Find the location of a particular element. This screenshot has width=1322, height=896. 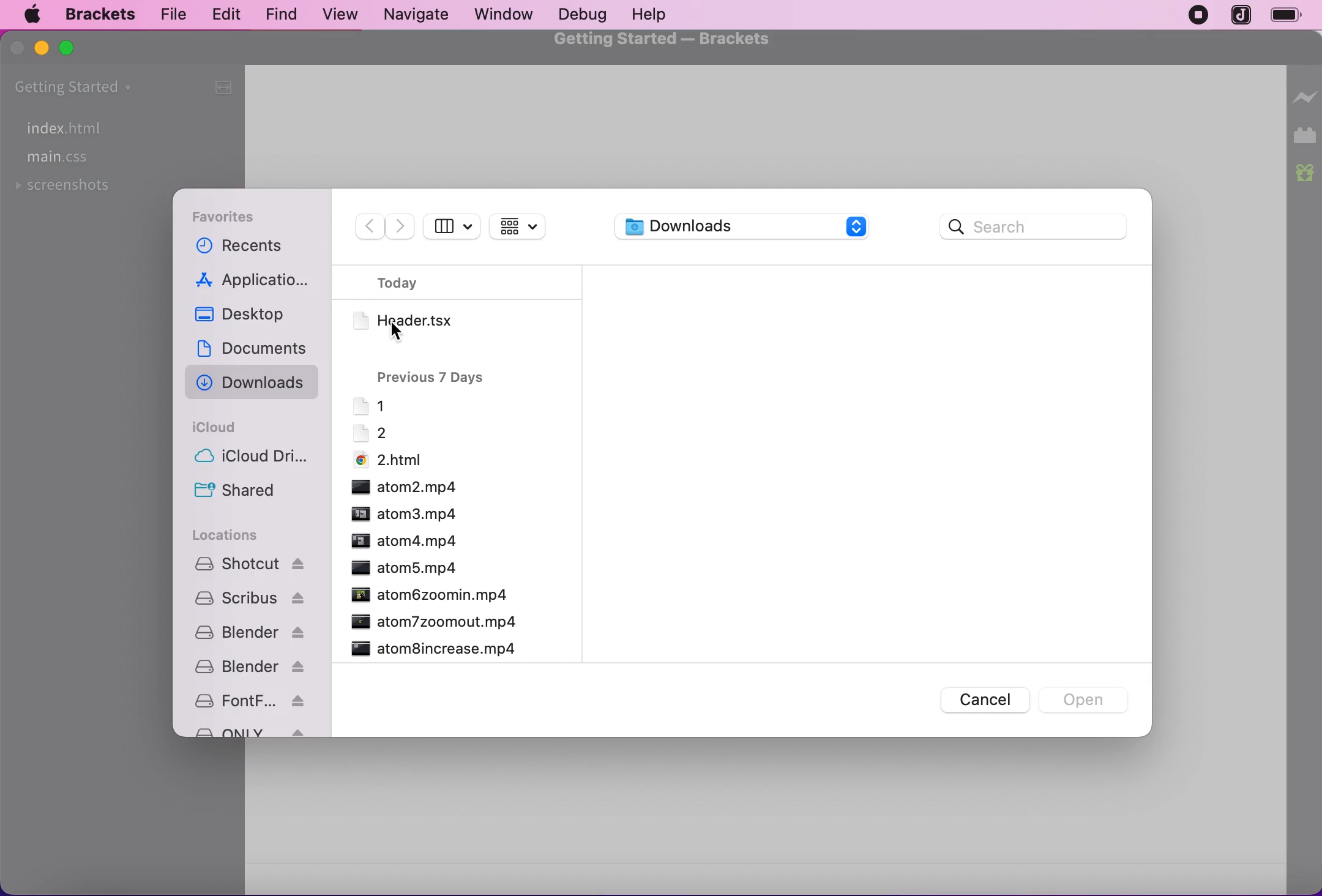

file is located at coordinates (170, 15).